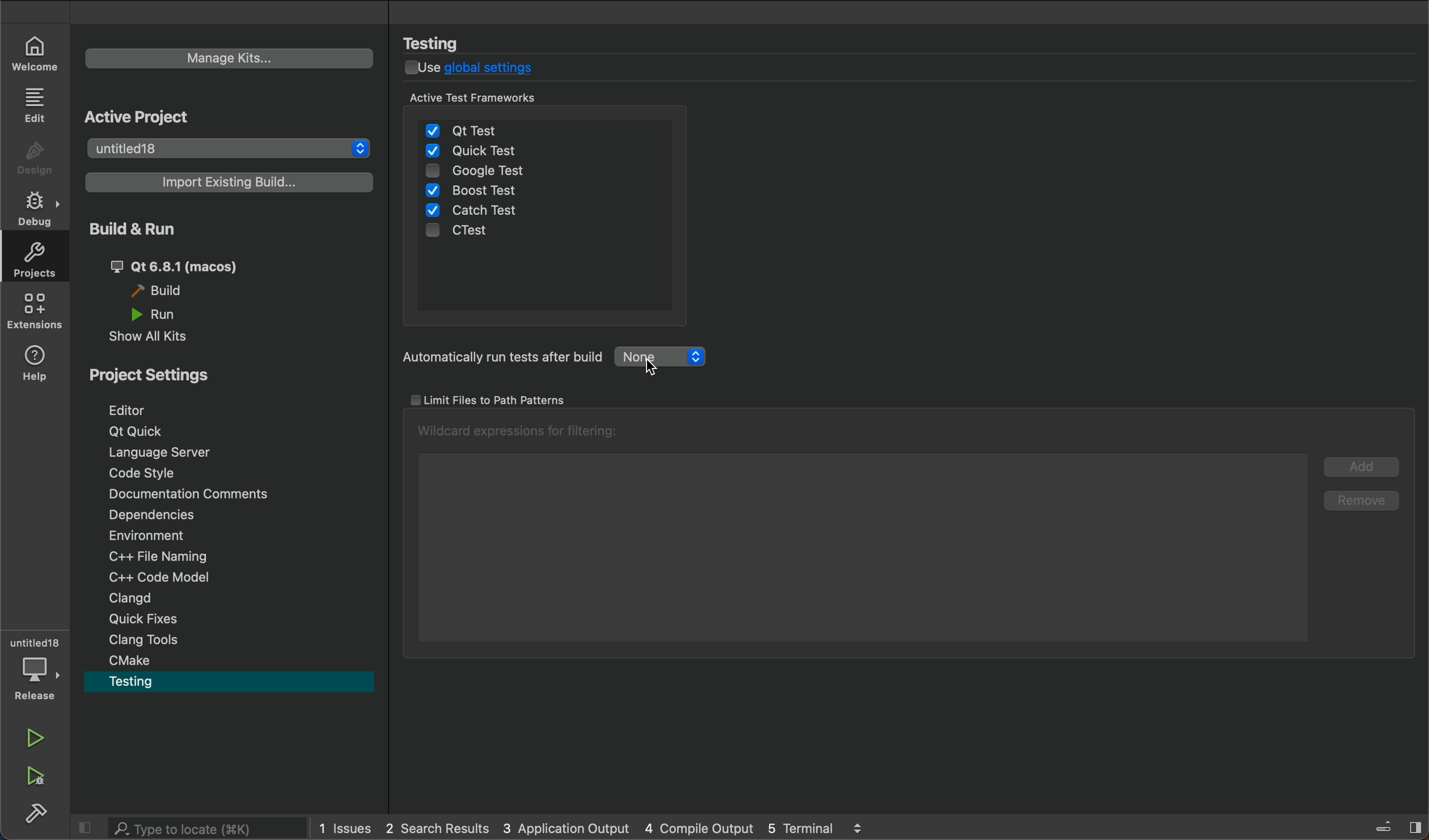 The height and width of the screenshot is (840, 1429). I want to click on path patterns, so click(514, 400).